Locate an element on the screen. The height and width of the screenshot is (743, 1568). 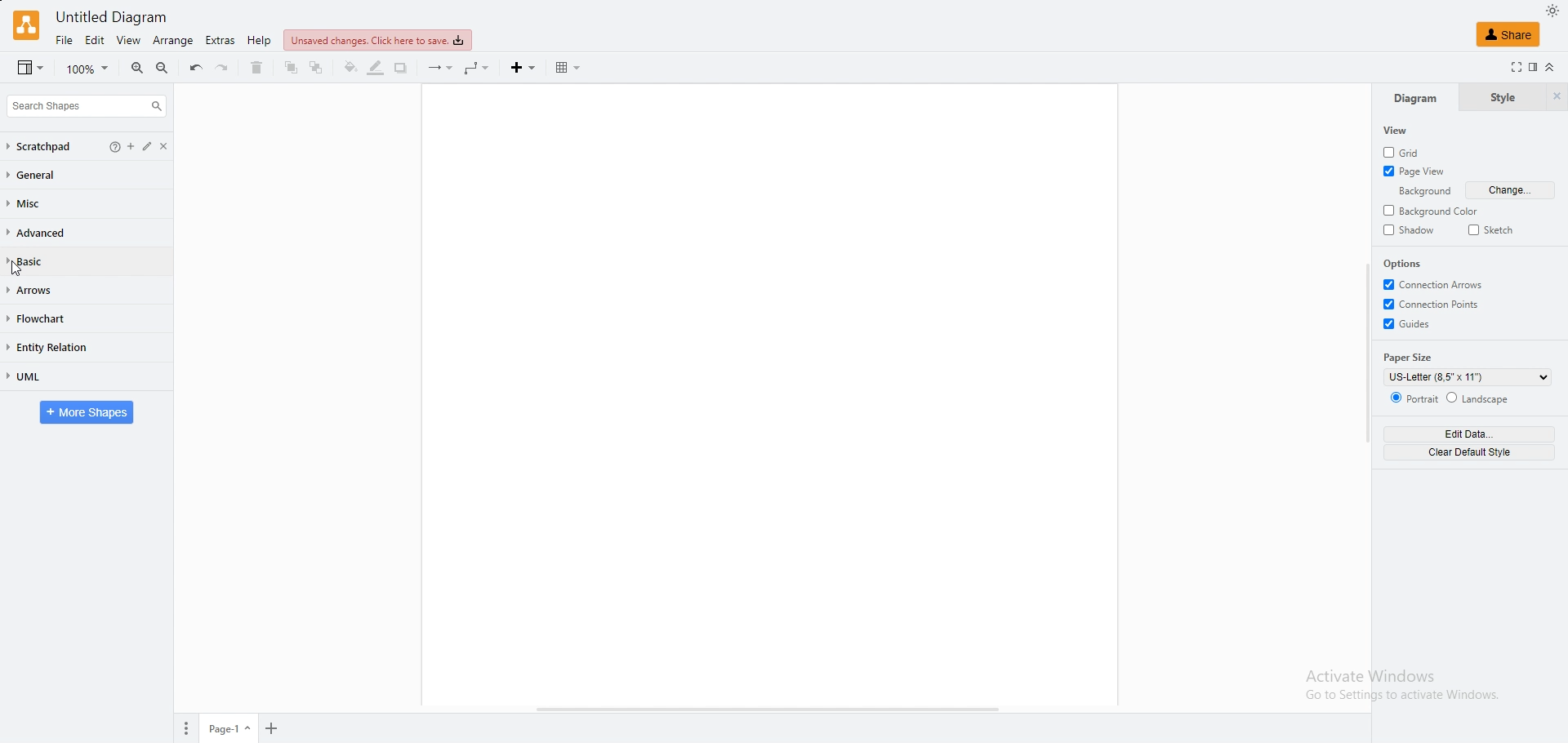
help is located at coordinates (108, 146).